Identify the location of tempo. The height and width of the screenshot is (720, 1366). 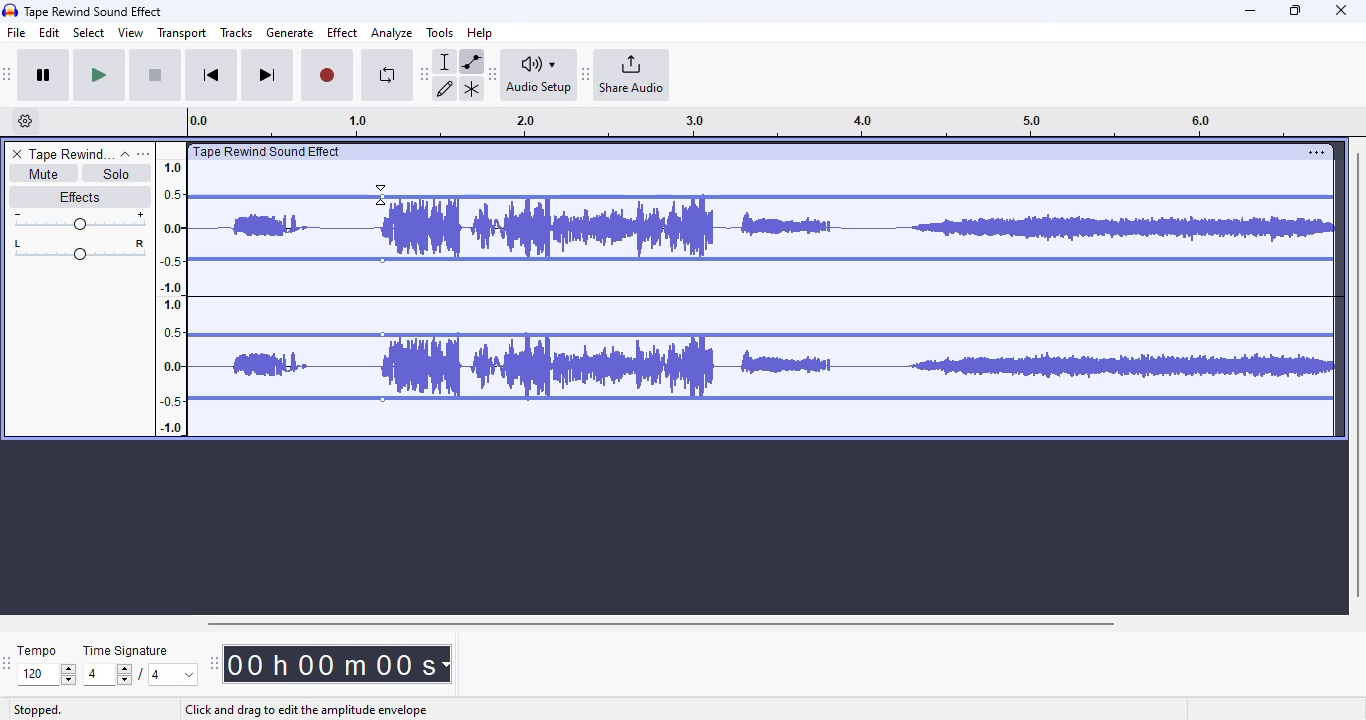
(37, 650).